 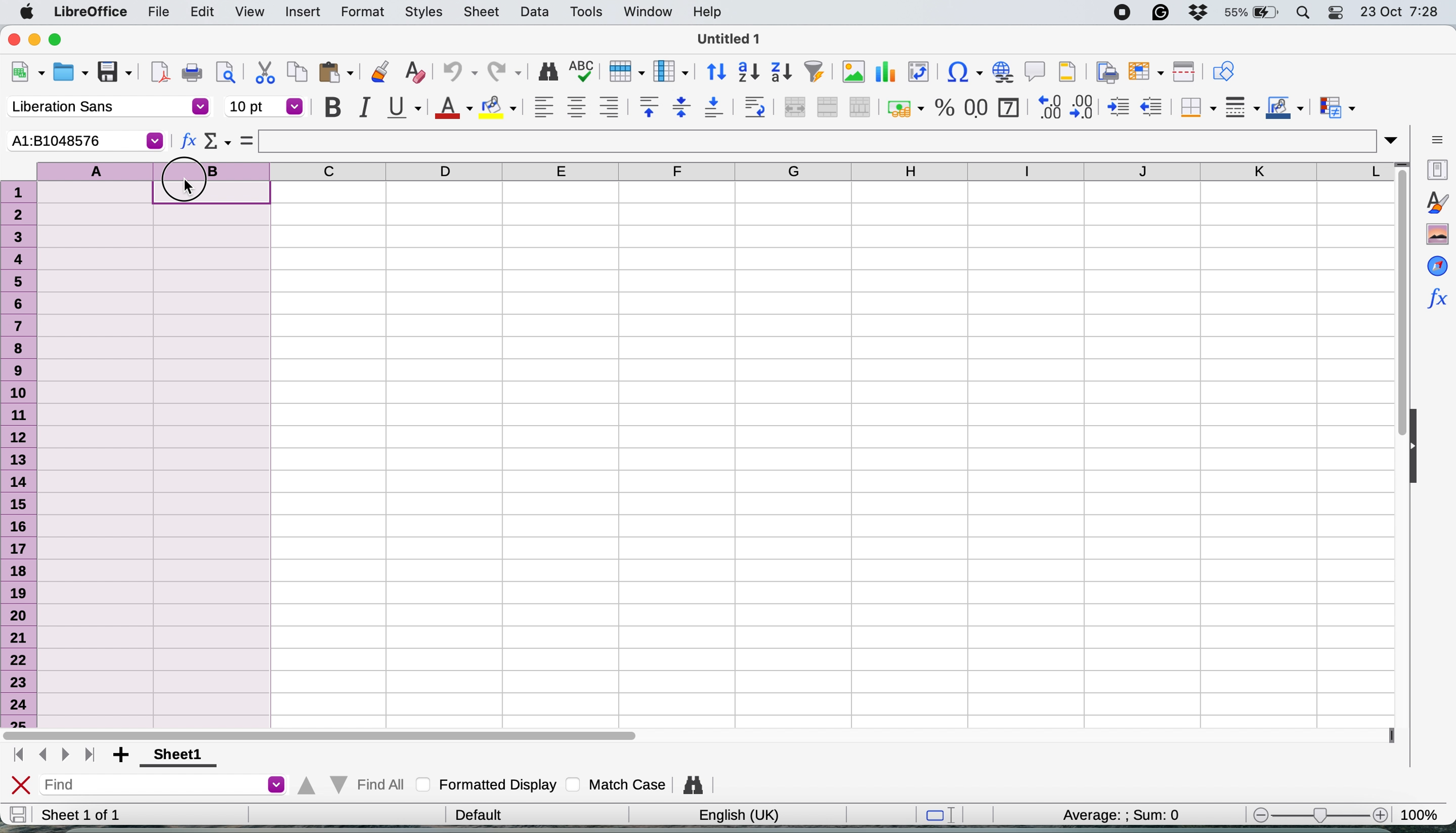 I want to click on format, so click(x=362, y=13).